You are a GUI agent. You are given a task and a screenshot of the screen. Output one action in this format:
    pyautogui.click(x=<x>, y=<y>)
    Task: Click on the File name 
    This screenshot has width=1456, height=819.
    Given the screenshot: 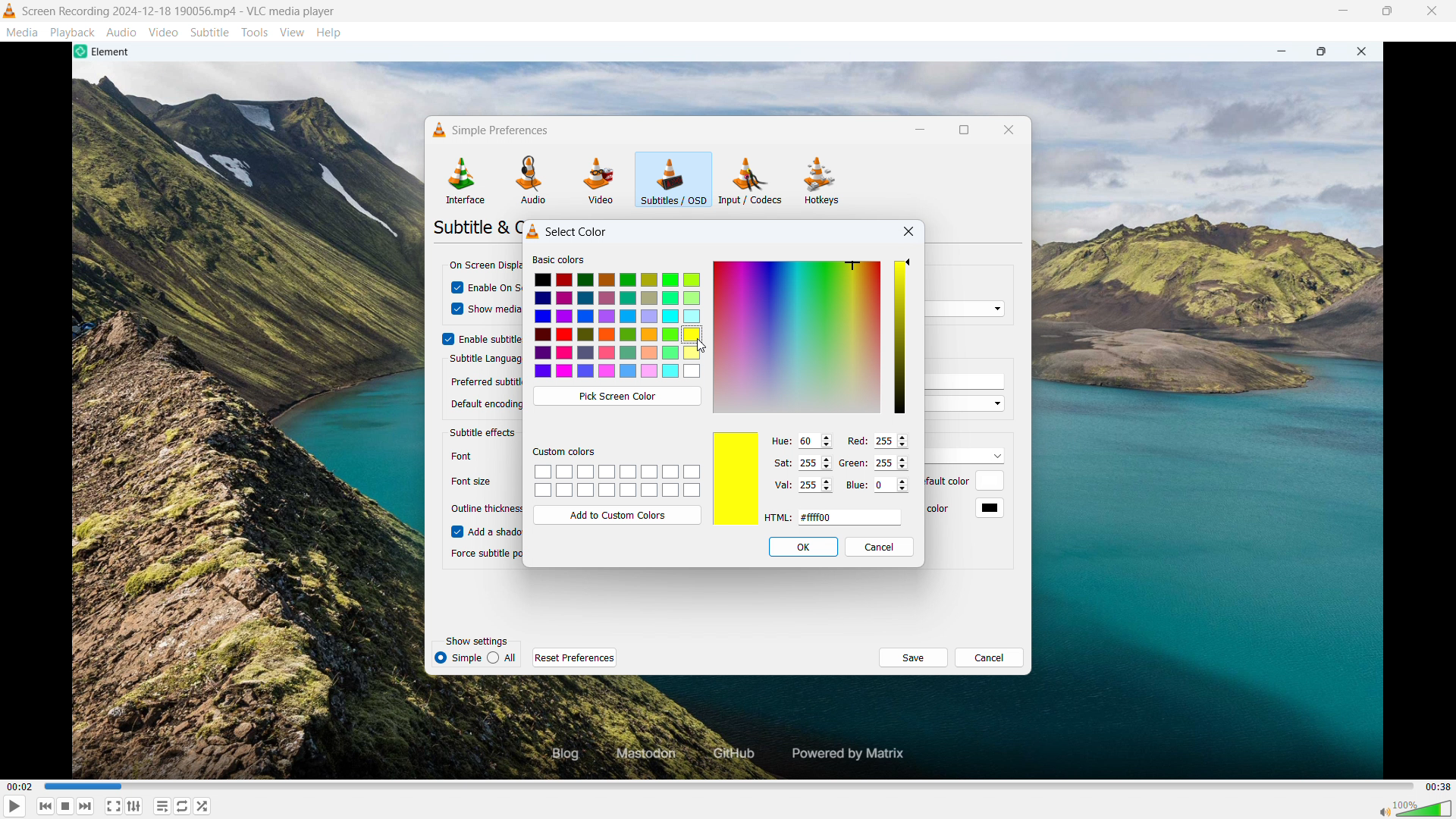 What is the action you would take?
    pyautogui.click(x=180, y=11)
    